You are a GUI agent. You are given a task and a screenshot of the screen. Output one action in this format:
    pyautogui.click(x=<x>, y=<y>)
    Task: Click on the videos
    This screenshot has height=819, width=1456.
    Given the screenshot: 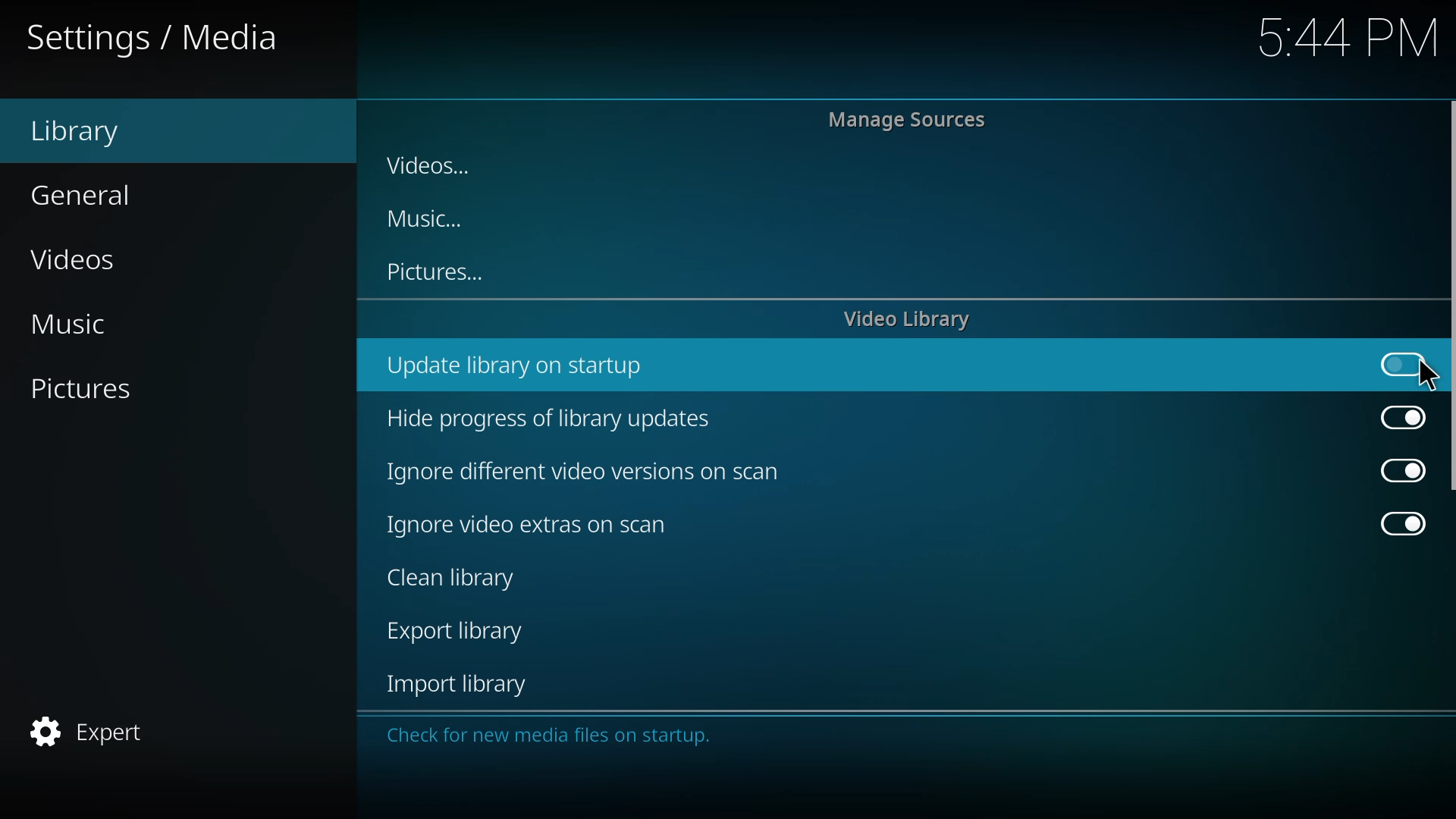 What is the action you would take?
    pyautogui.click(x=83, y=259)
    